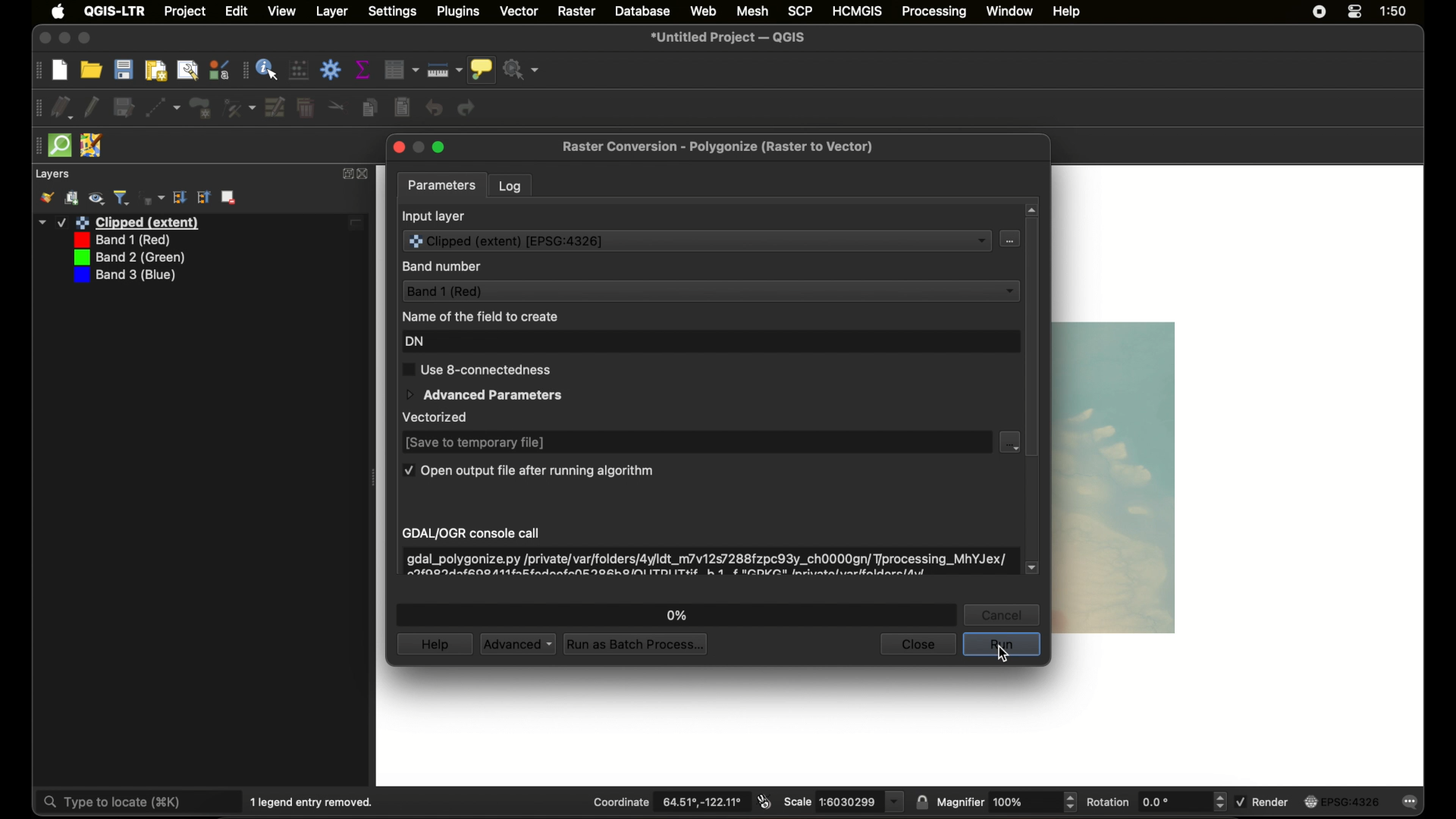 Image resolution: width=1456 pixels, height=819 pixels. What do you see at coordinates (472, 534) in the screenshot?
I see `goal/ogr console call` at bounding box center [472, 534].